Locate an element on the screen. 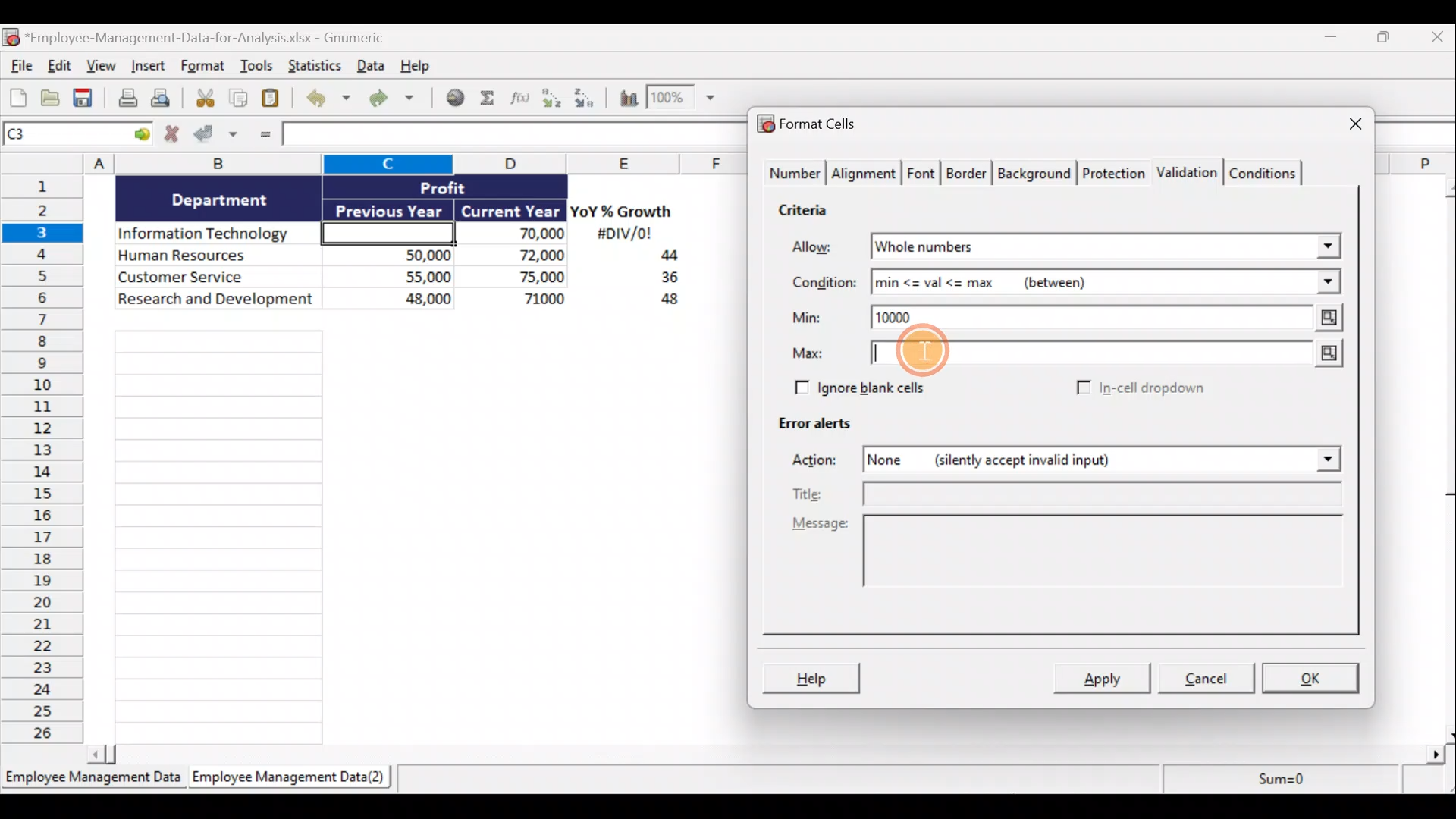 The width and height of the screenshot is (1456, 819). Help is located at coordinates (814, 676).